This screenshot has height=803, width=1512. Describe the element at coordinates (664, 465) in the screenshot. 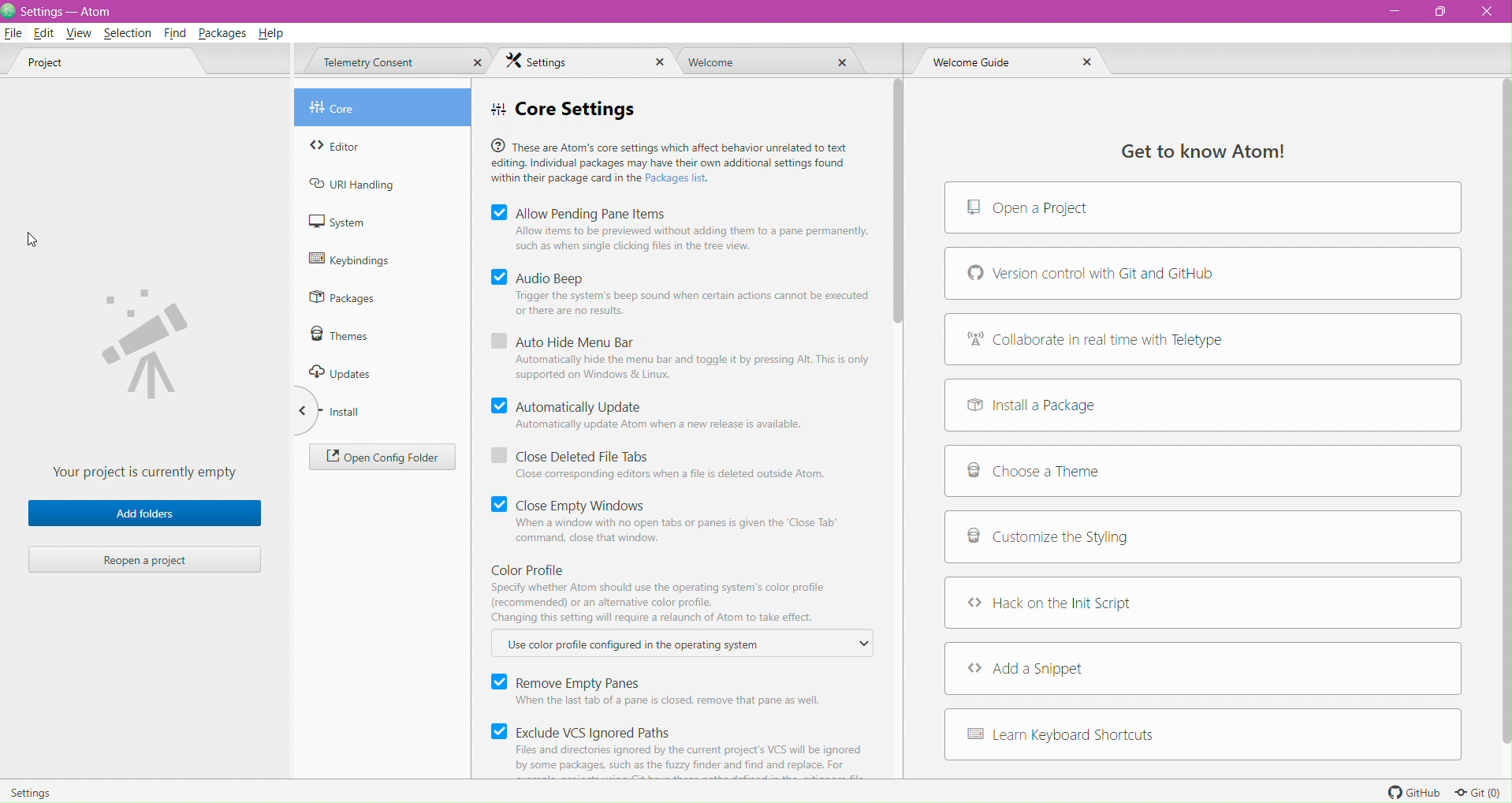

I see `Close Deleted File Tabs | Close corresponding editors when a file is deleted outside Atom.` at that location.